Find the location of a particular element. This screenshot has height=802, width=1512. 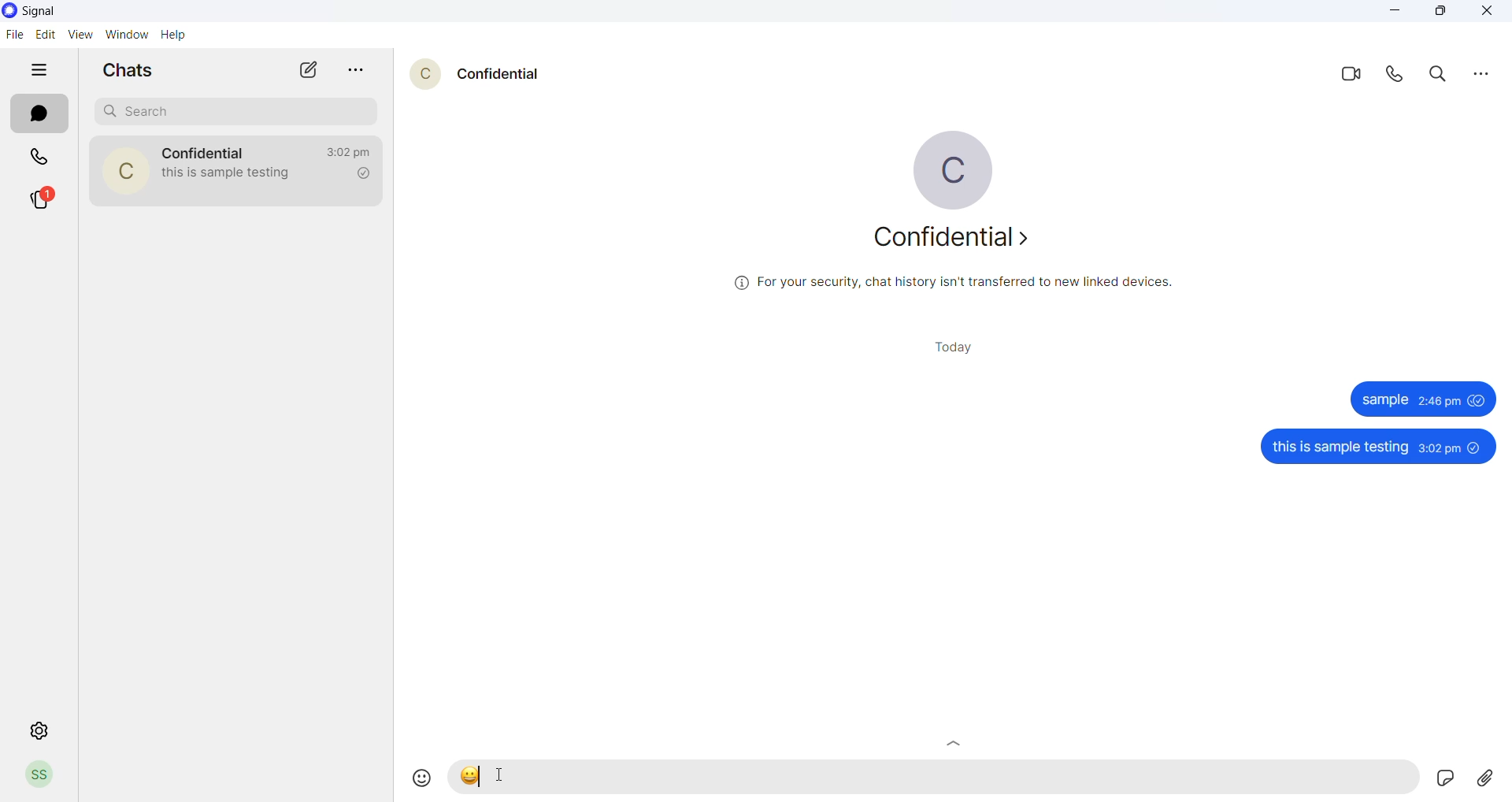

chats is located at coordinates (39, 114).